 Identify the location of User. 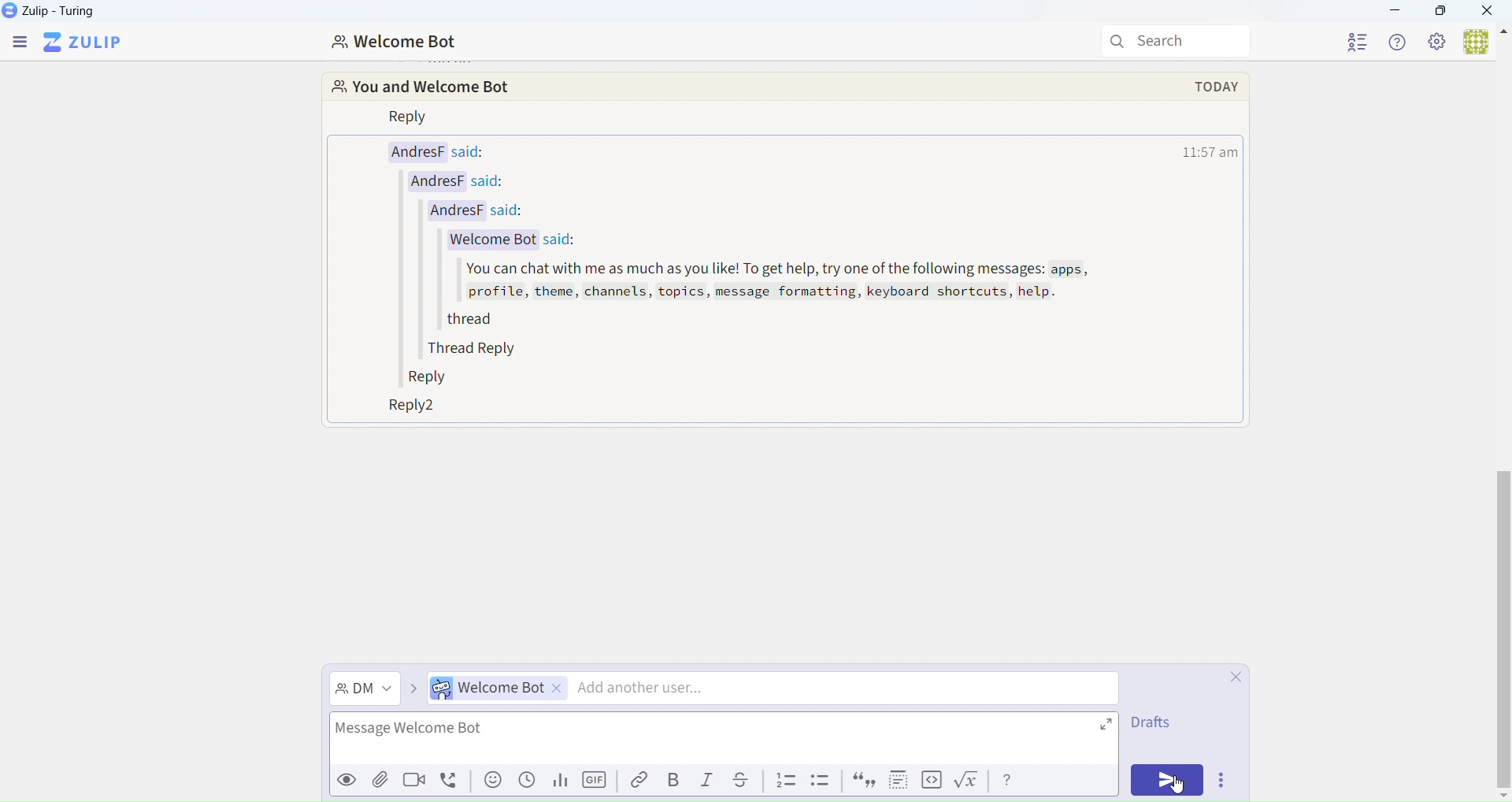
(1487, 42).